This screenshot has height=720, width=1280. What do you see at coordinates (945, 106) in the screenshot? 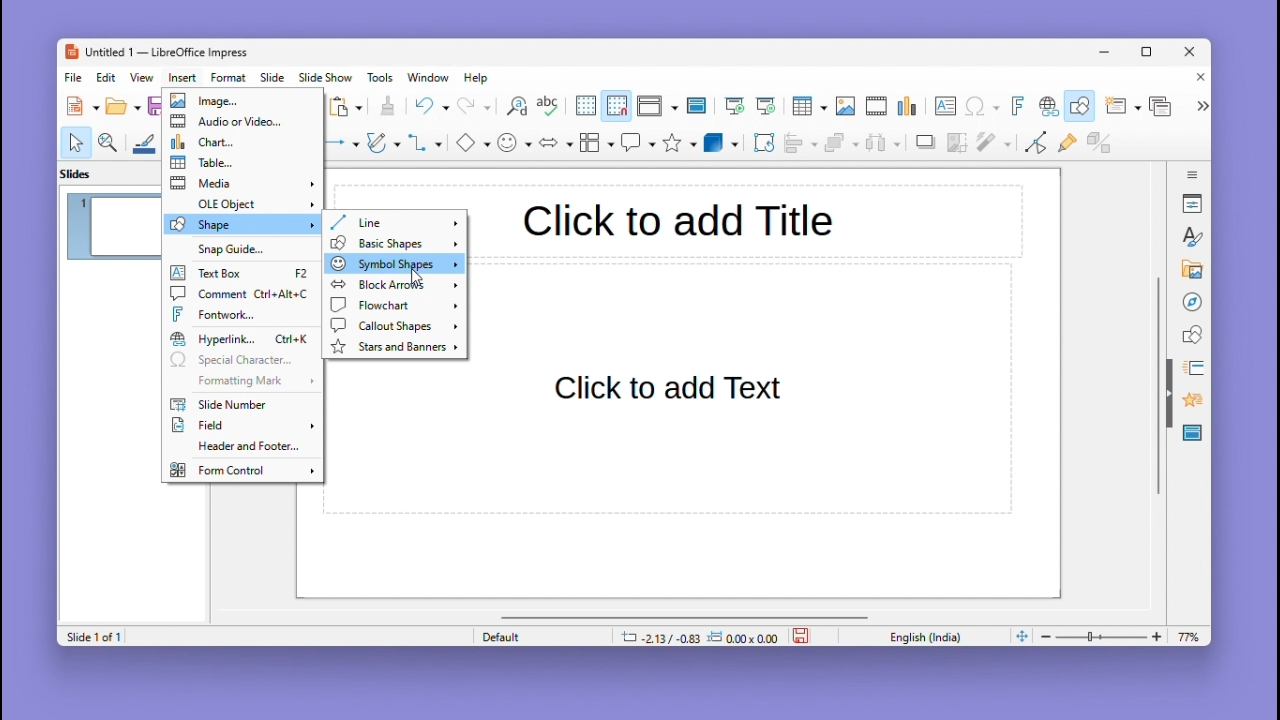
I see `Text box` at bounding box center [945, 106].